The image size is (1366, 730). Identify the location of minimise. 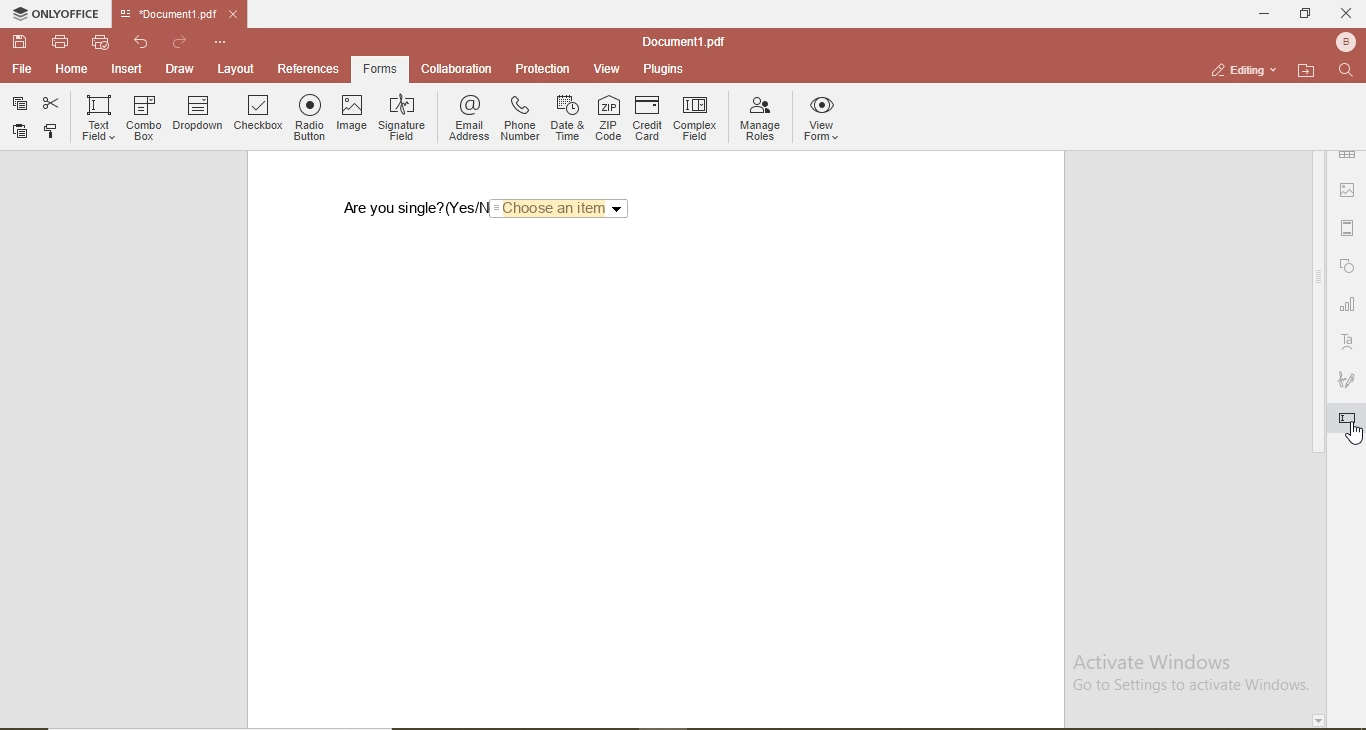
(1262, 15).